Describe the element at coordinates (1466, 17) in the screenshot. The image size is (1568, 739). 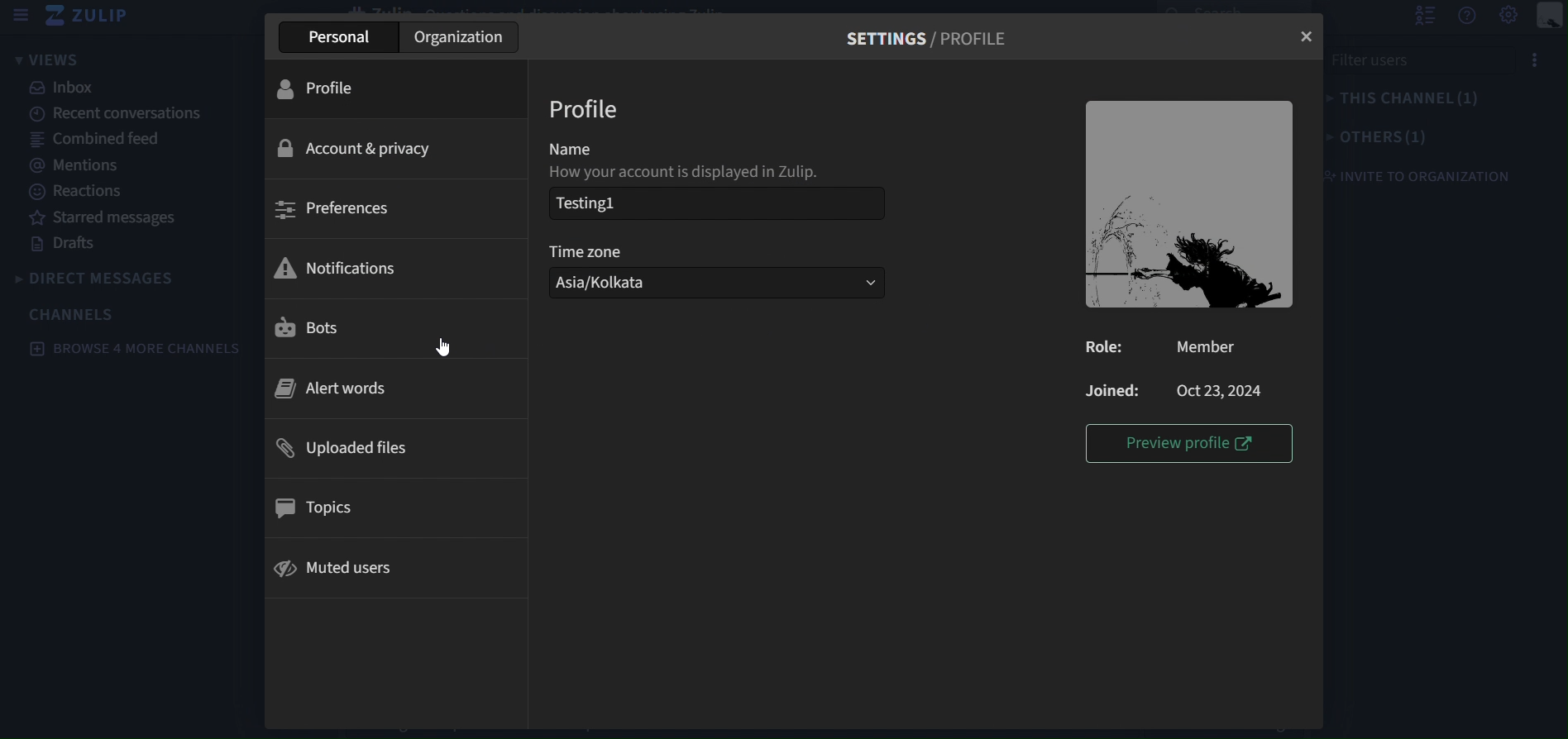
I see `get help` at that location.